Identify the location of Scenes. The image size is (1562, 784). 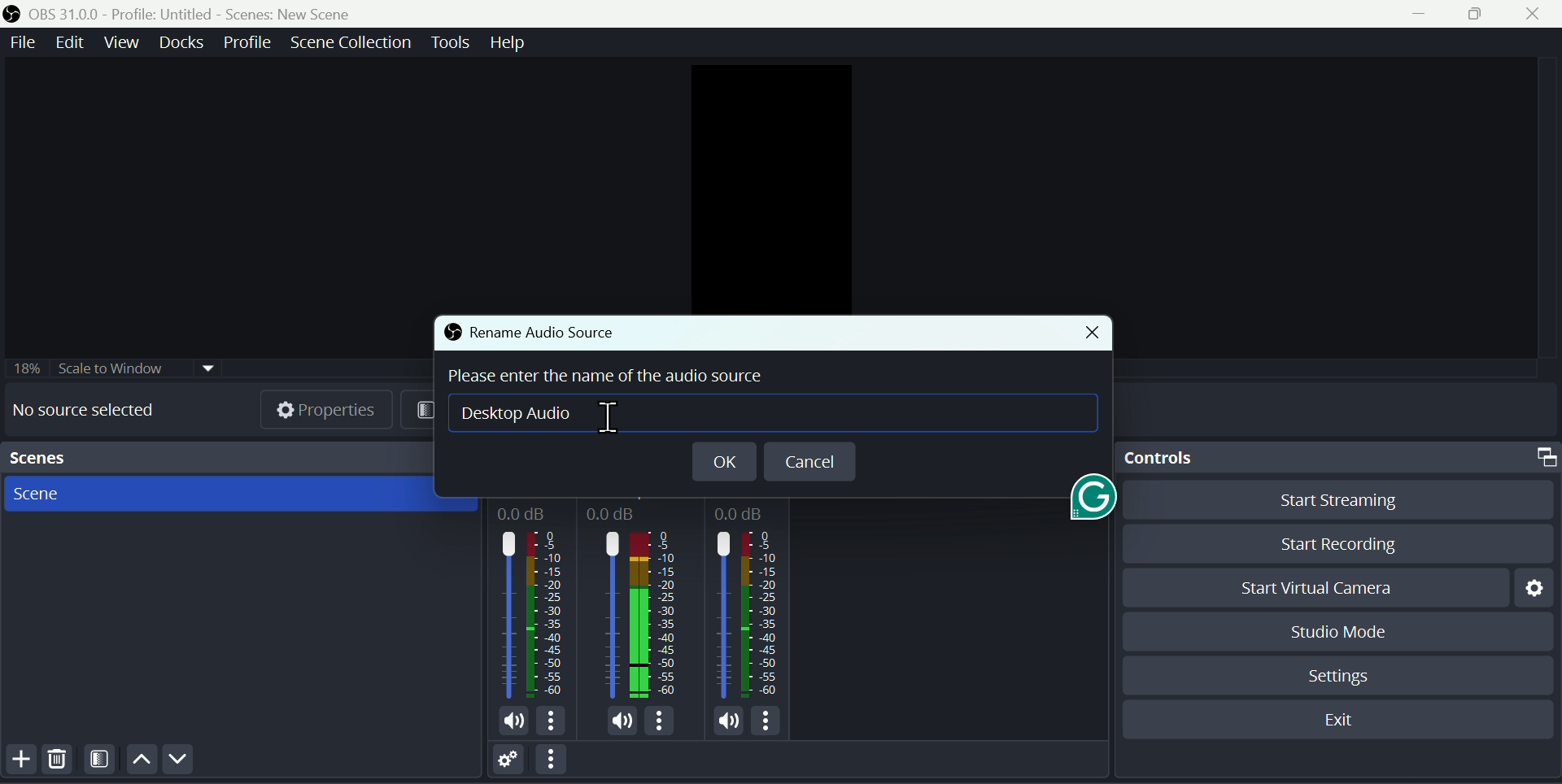
(233, 496).